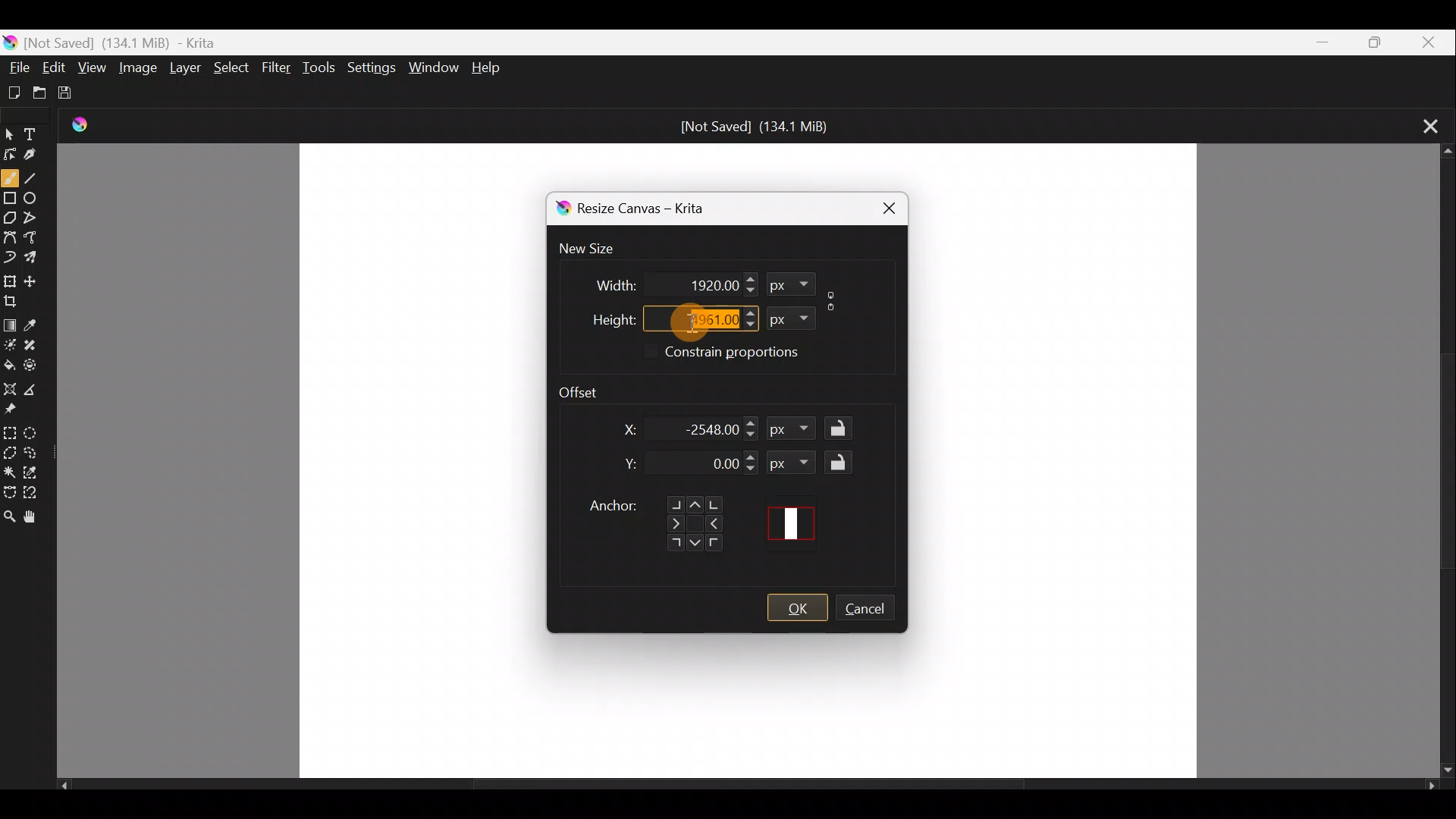  What do you see at coordinates (658, 211) in the screenshot?
I see `Resize canvas - Krita` at bounding box center [658, 211].